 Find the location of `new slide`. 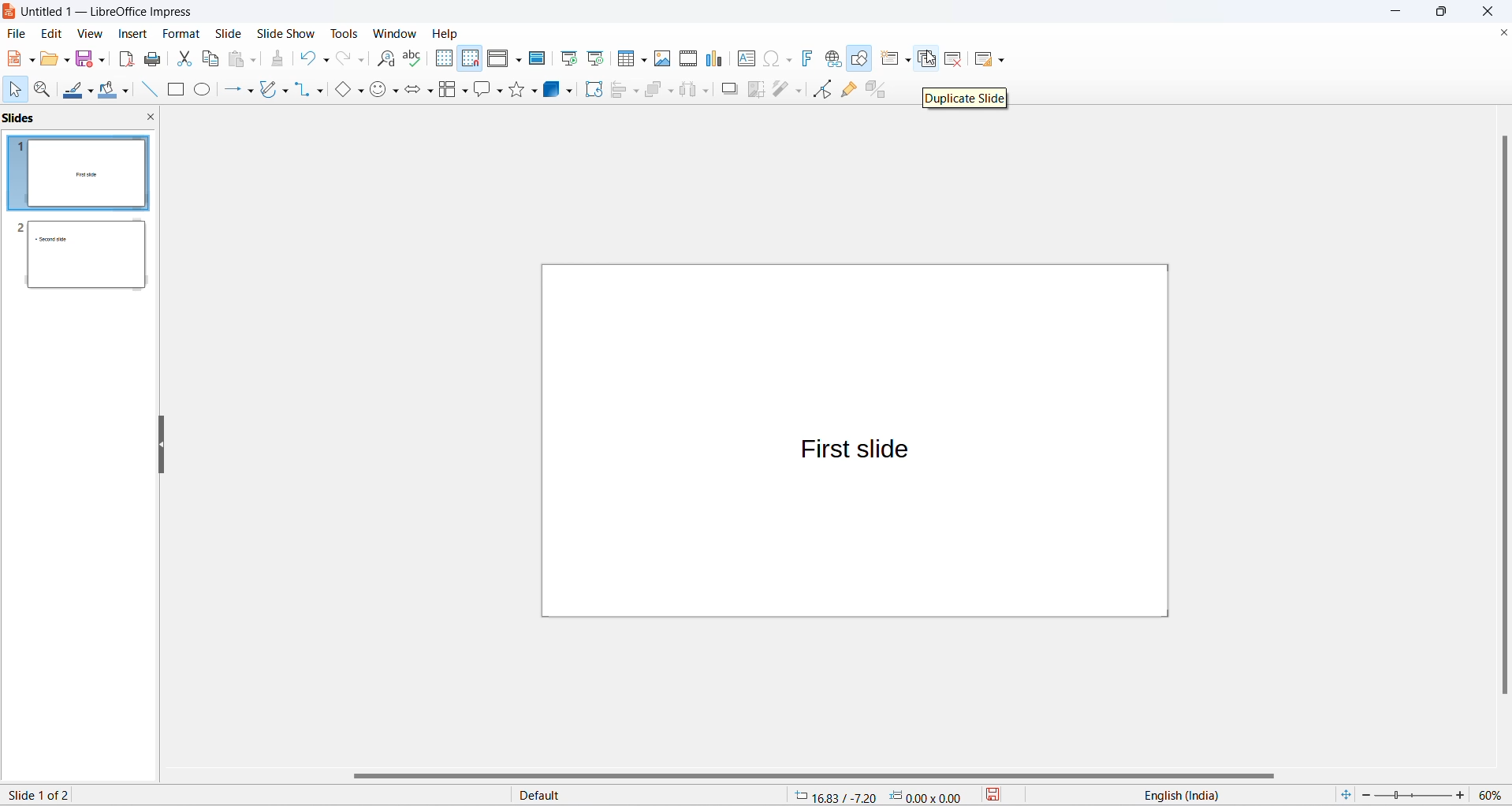

new slide is located at coordinates (890, 62).